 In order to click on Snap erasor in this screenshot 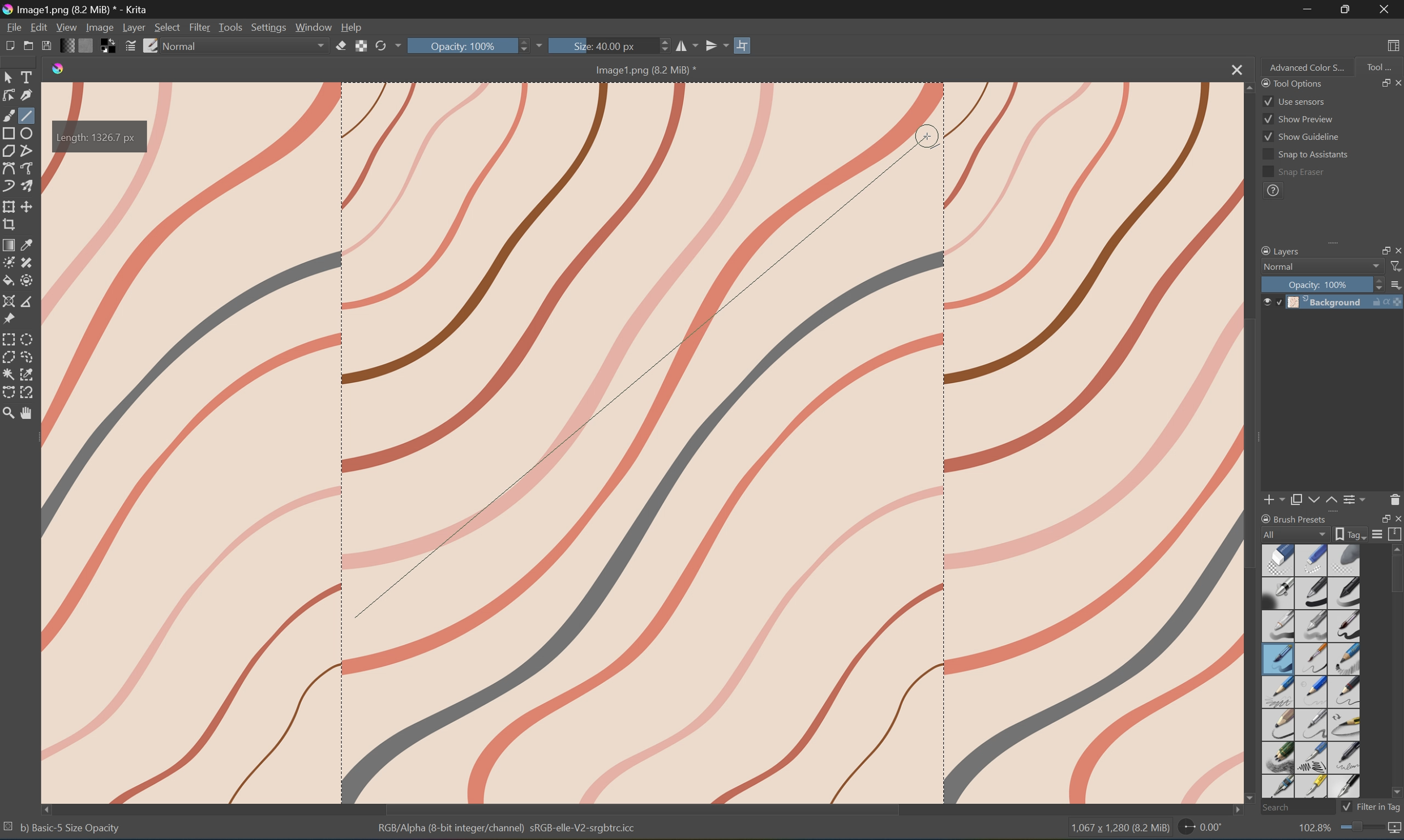, I will do `click(1294, 173)`.